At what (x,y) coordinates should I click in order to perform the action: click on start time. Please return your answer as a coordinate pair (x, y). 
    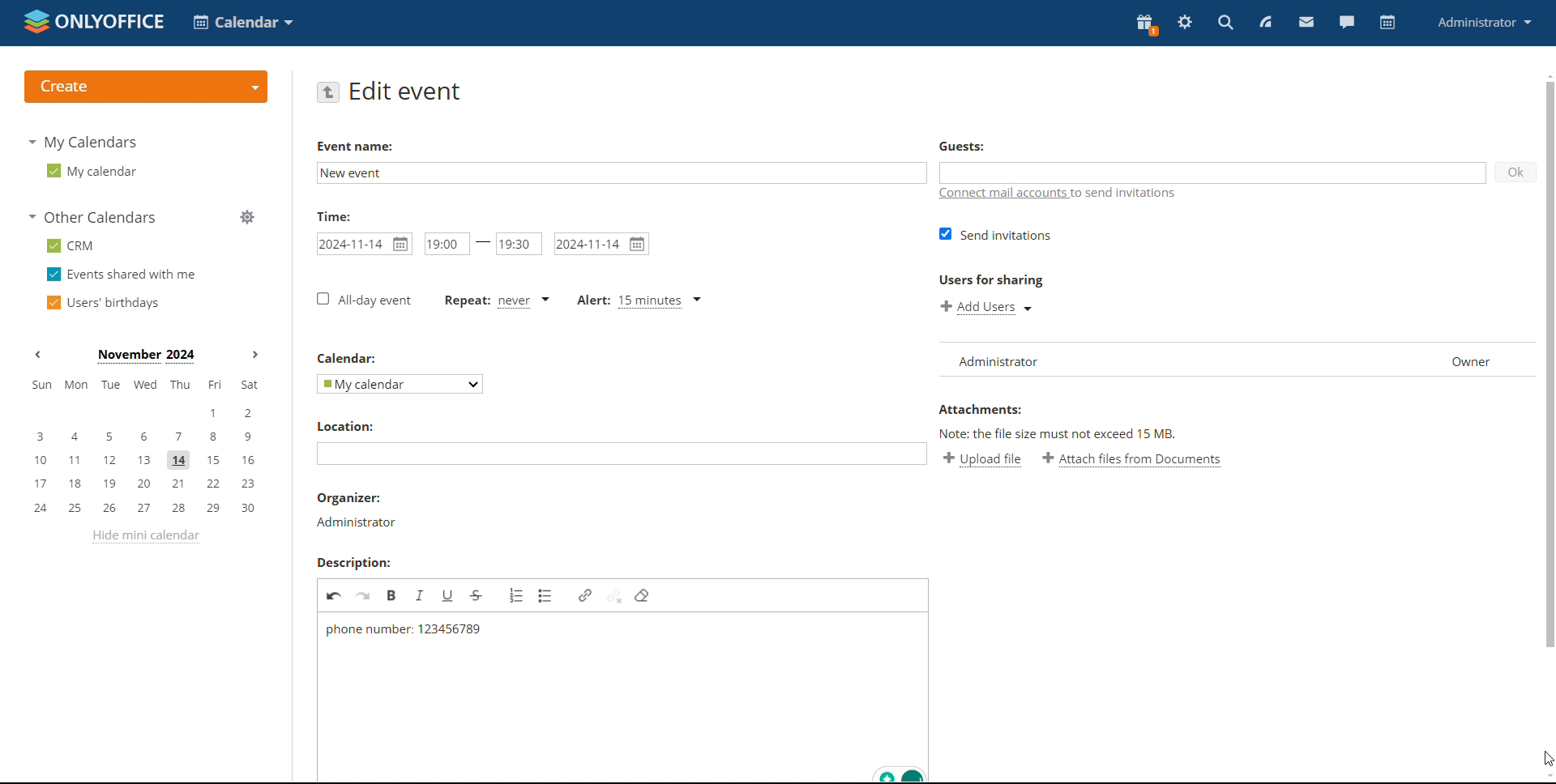
    Looking at the image, I should click on (447, 245).